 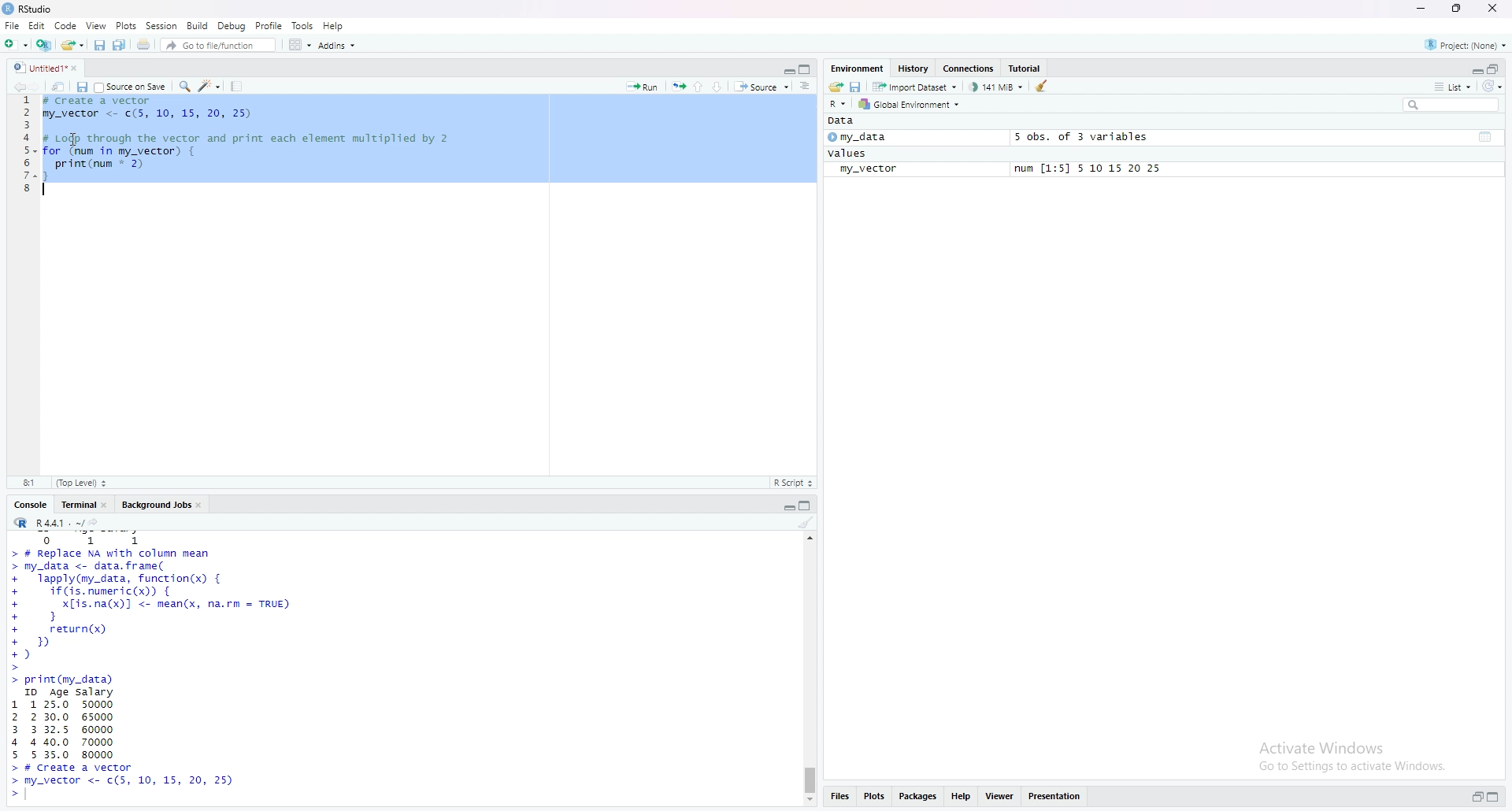 What do you see at coordinates (787, 71) in the screenshot?
I see `expand` at bounding box center [787, 71].